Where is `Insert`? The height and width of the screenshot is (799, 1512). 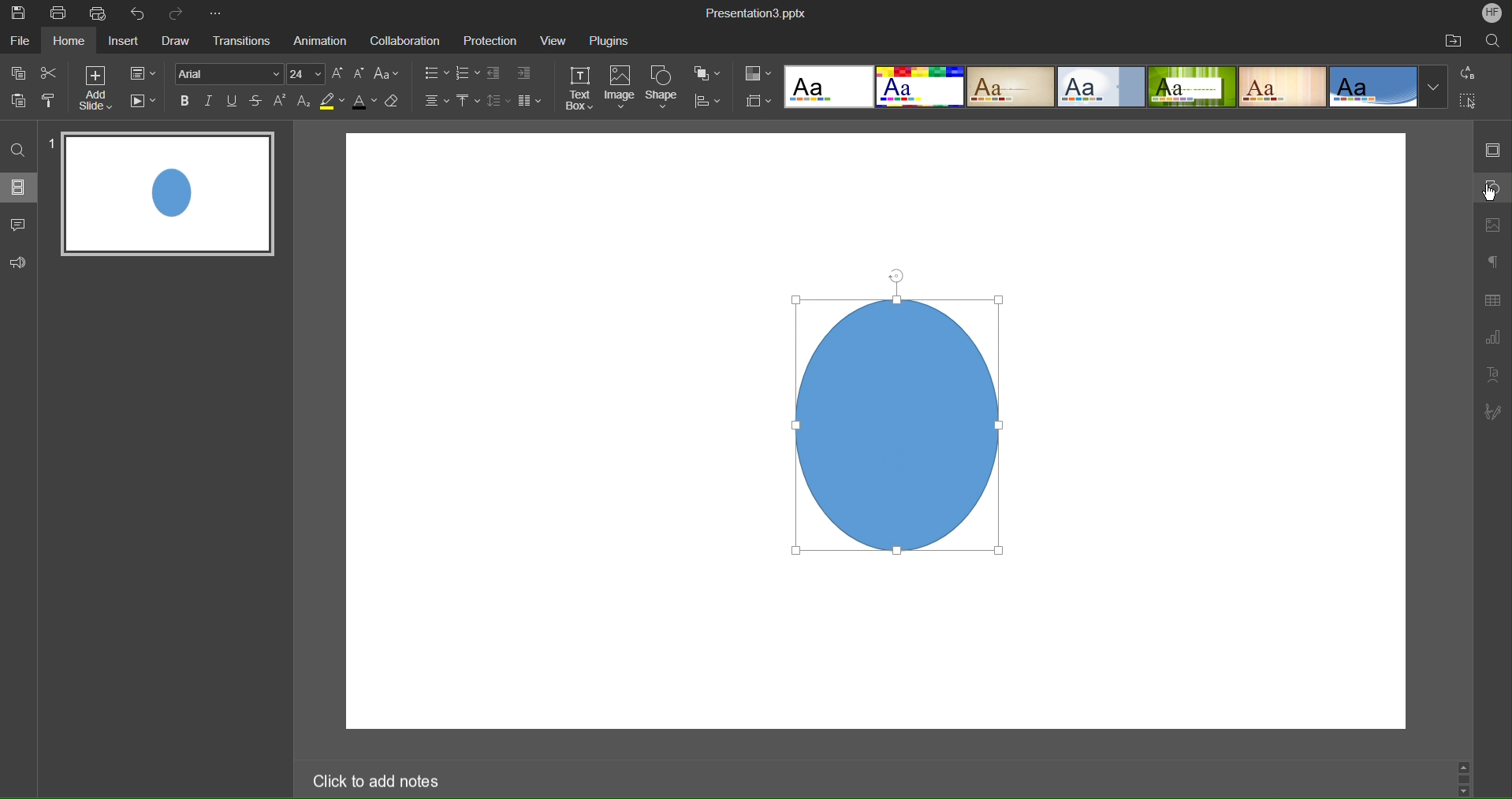
Insert is located at coordinates (125, 43).